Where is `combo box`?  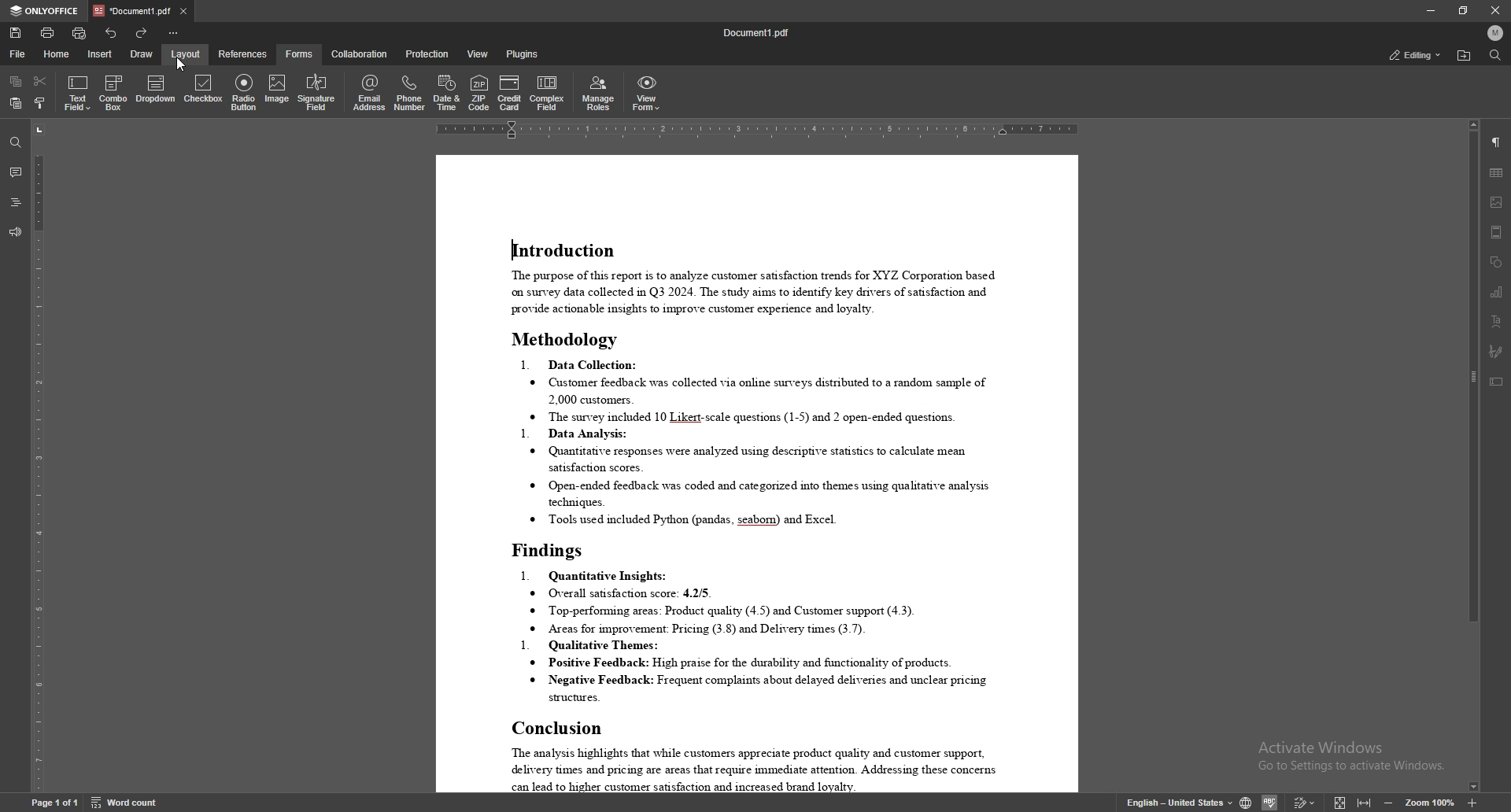 combo box is located at coordinates (114, 93).